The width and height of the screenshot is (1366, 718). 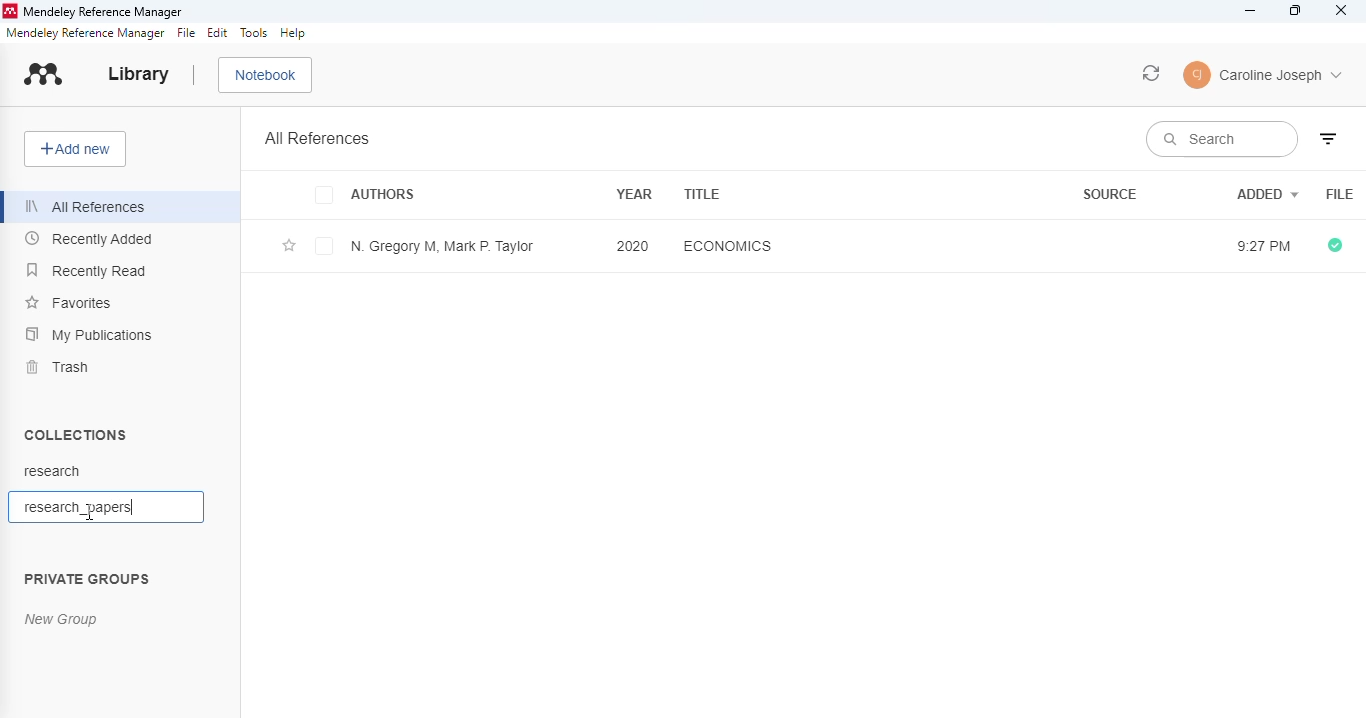 What do you see at coordinates (1328, 139) in the screenshot?
I see `filter by` at bounding box center [1328, 139].